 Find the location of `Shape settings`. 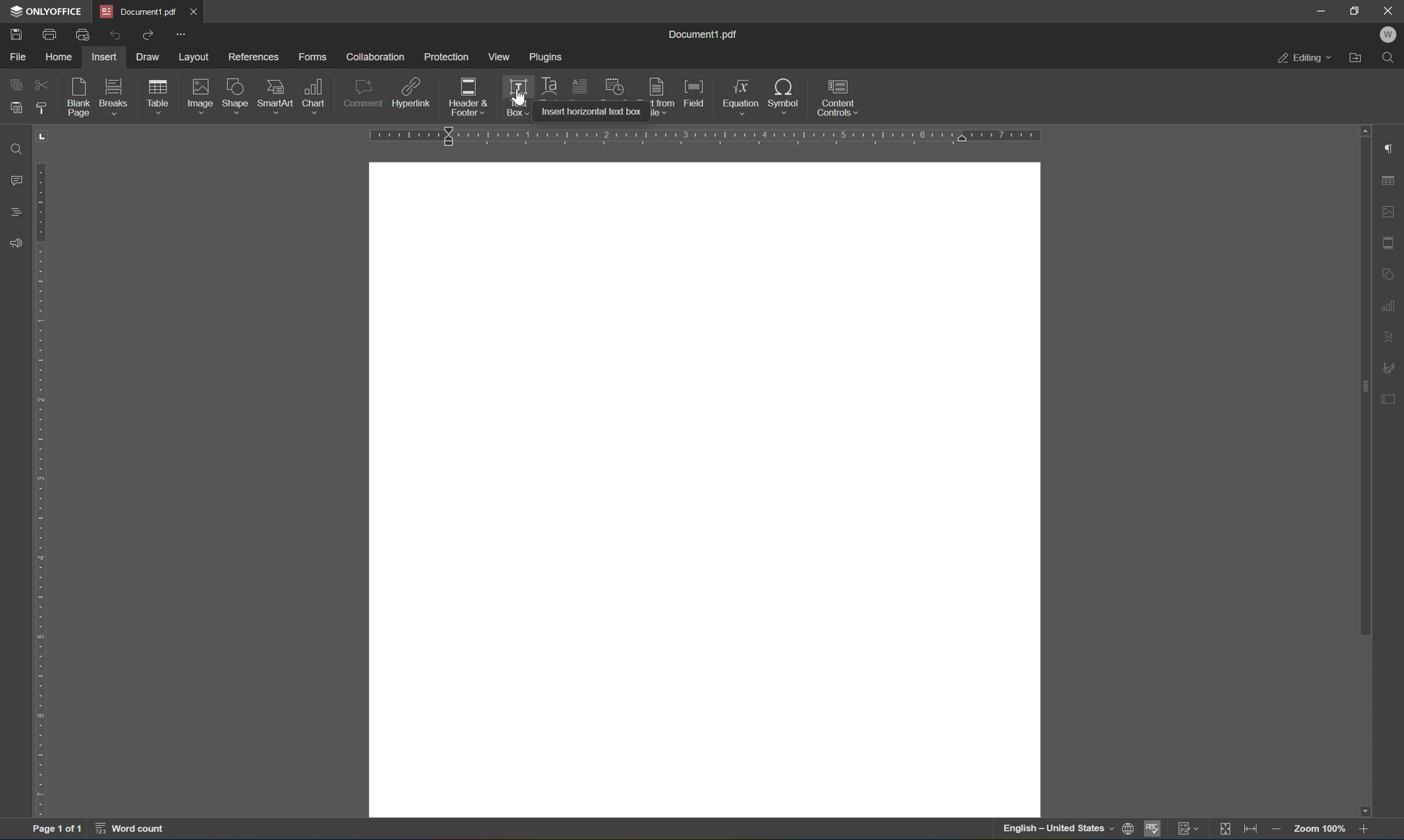

Shape settings is located at coordinates (1389, 273).